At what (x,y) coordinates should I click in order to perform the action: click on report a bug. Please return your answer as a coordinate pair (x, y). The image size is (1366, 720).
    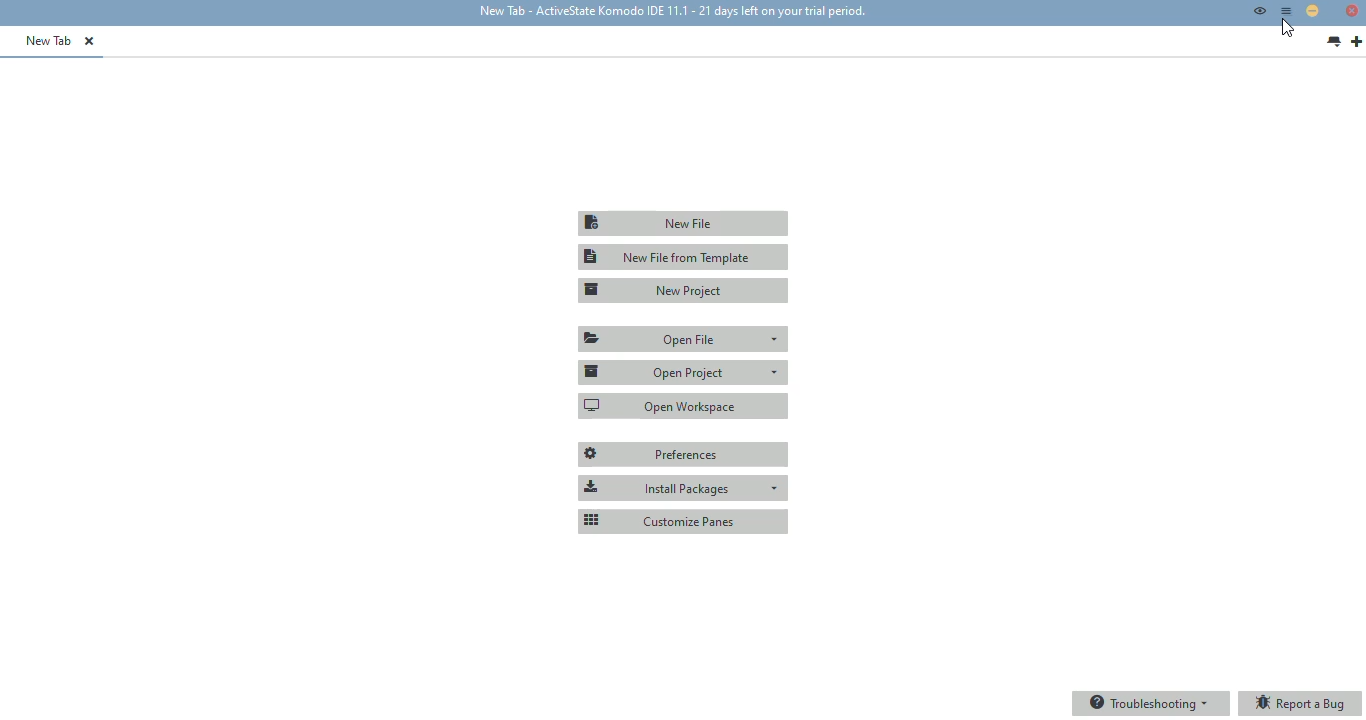
    Looking at the image, I should click on (1301, 704).